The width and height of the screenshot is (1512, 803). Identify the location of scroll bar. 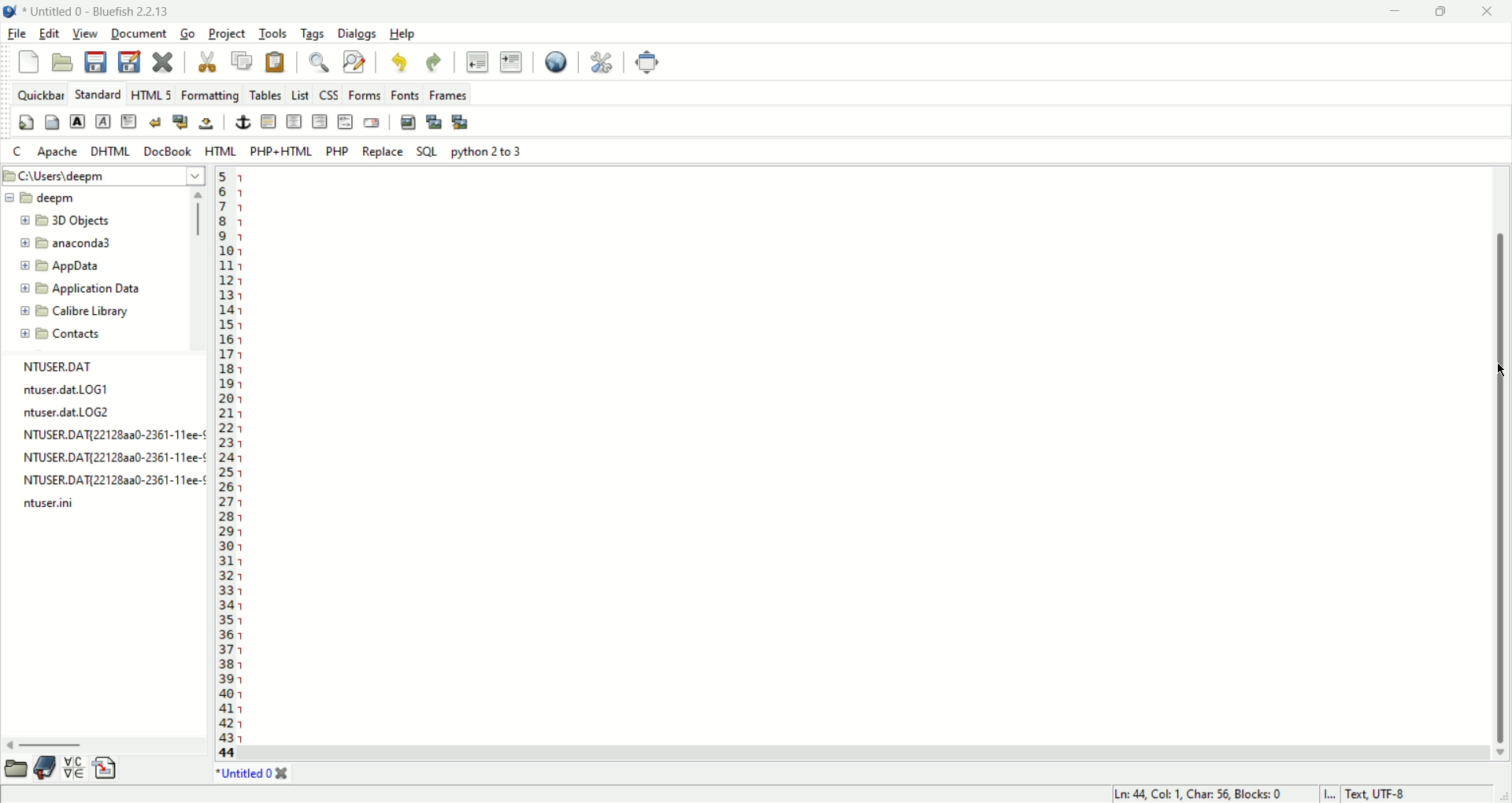
(1501, 464).